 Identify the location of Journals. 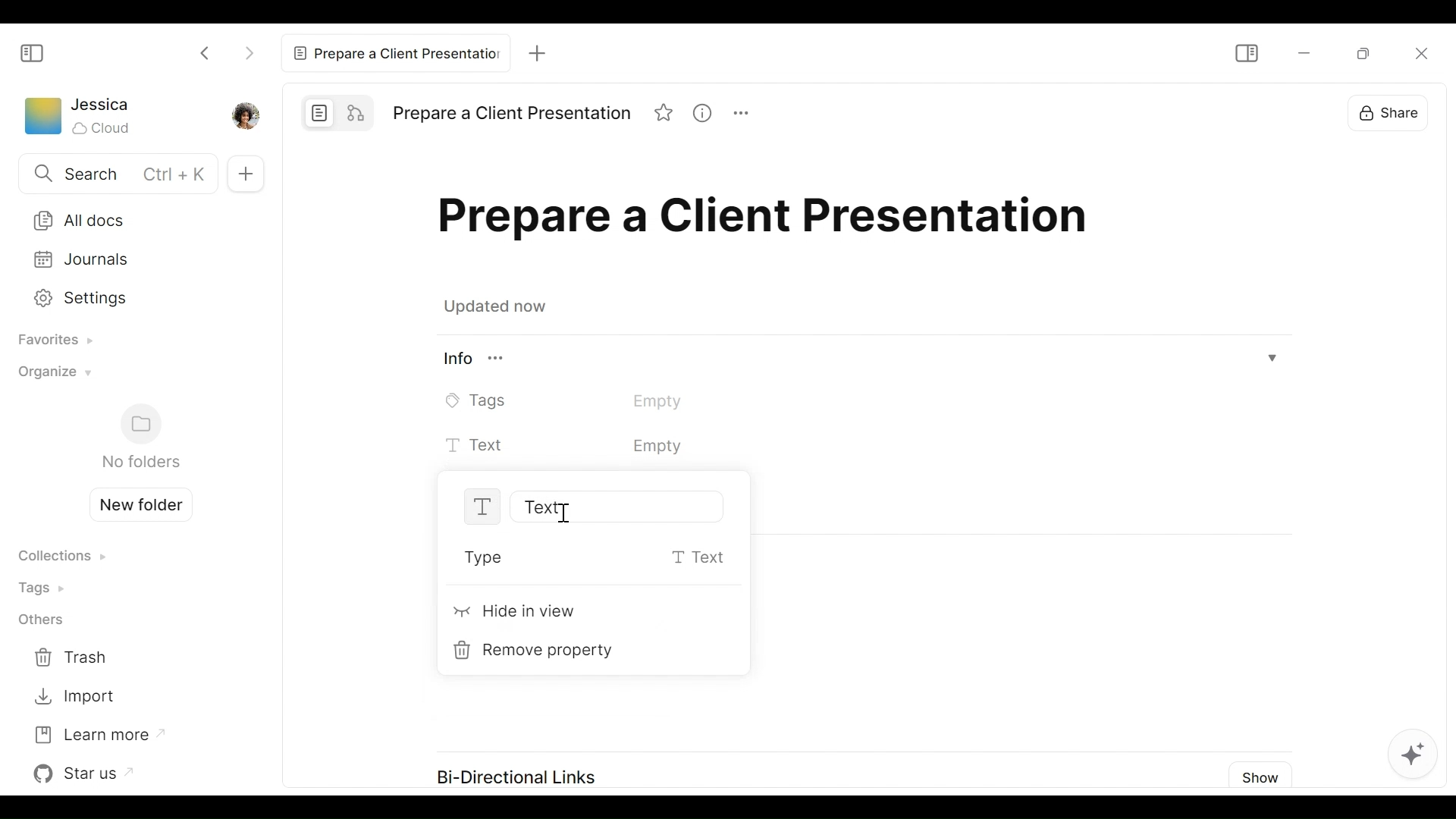
(130, 259).